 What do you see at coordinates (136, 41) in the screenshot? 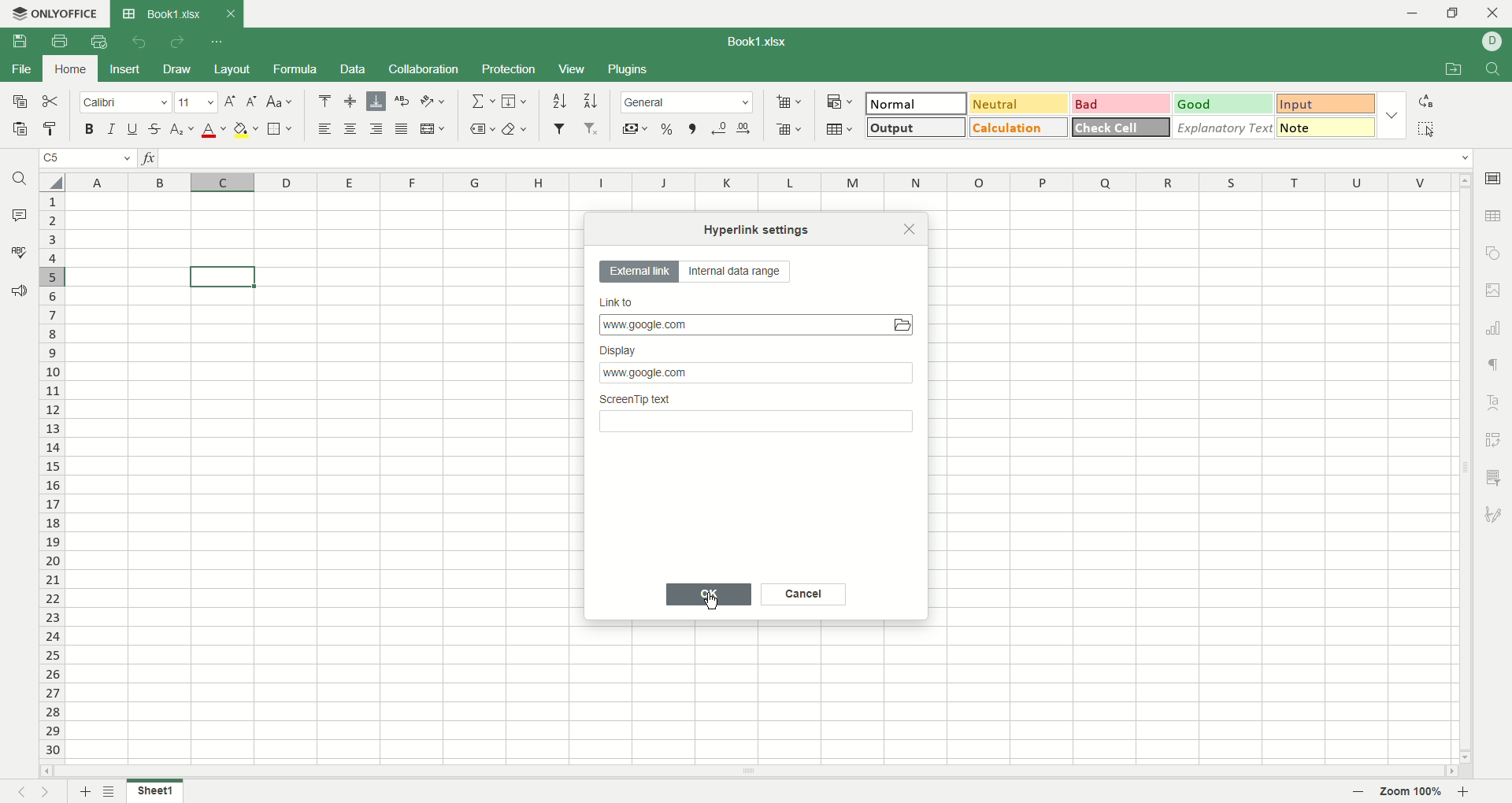
I see `undo` at bounding box center [136, 41].